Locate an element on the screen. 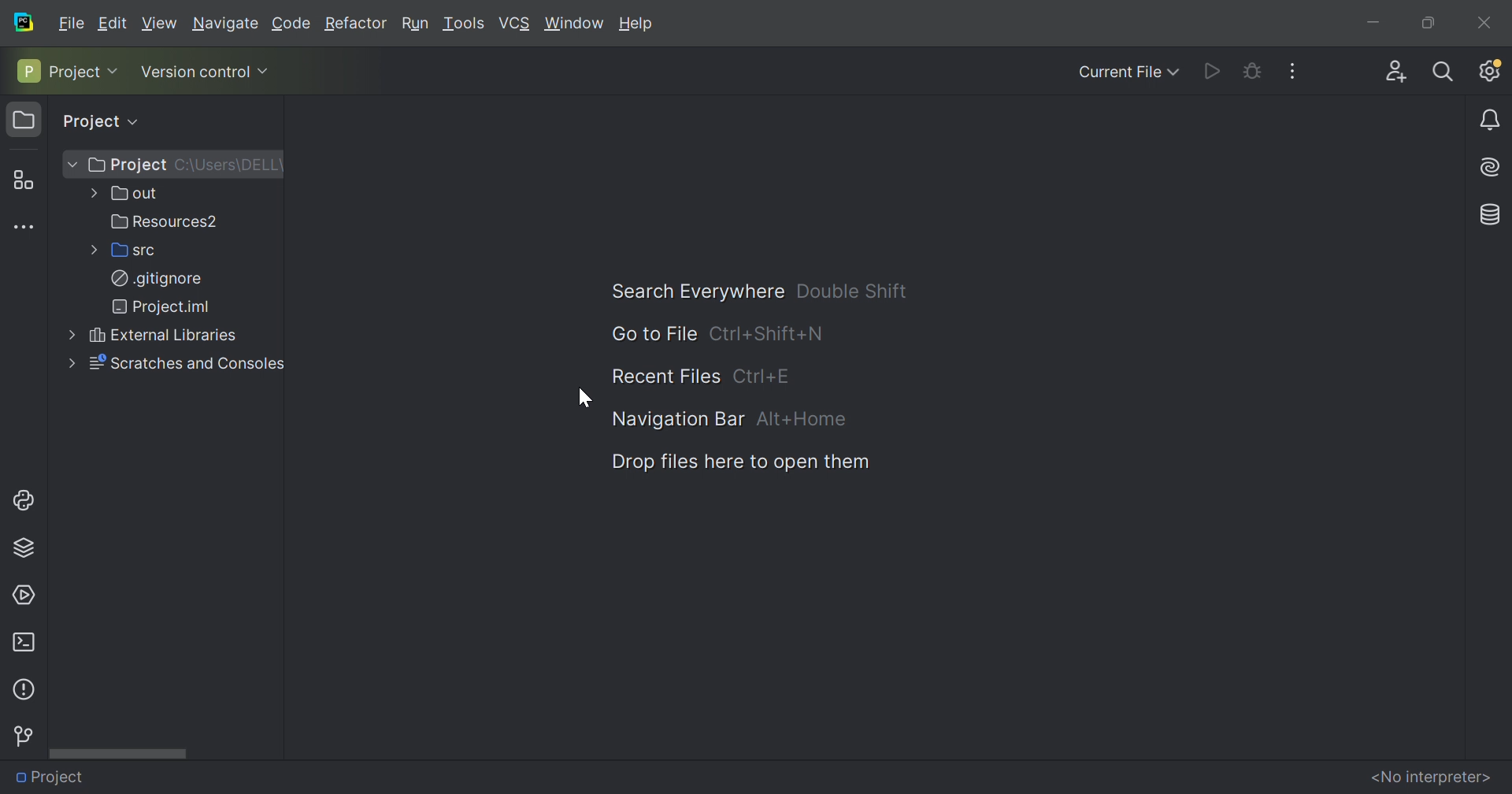 The width and height of the screenshot is (1512, 794). More is located at coordinates (90, 195).